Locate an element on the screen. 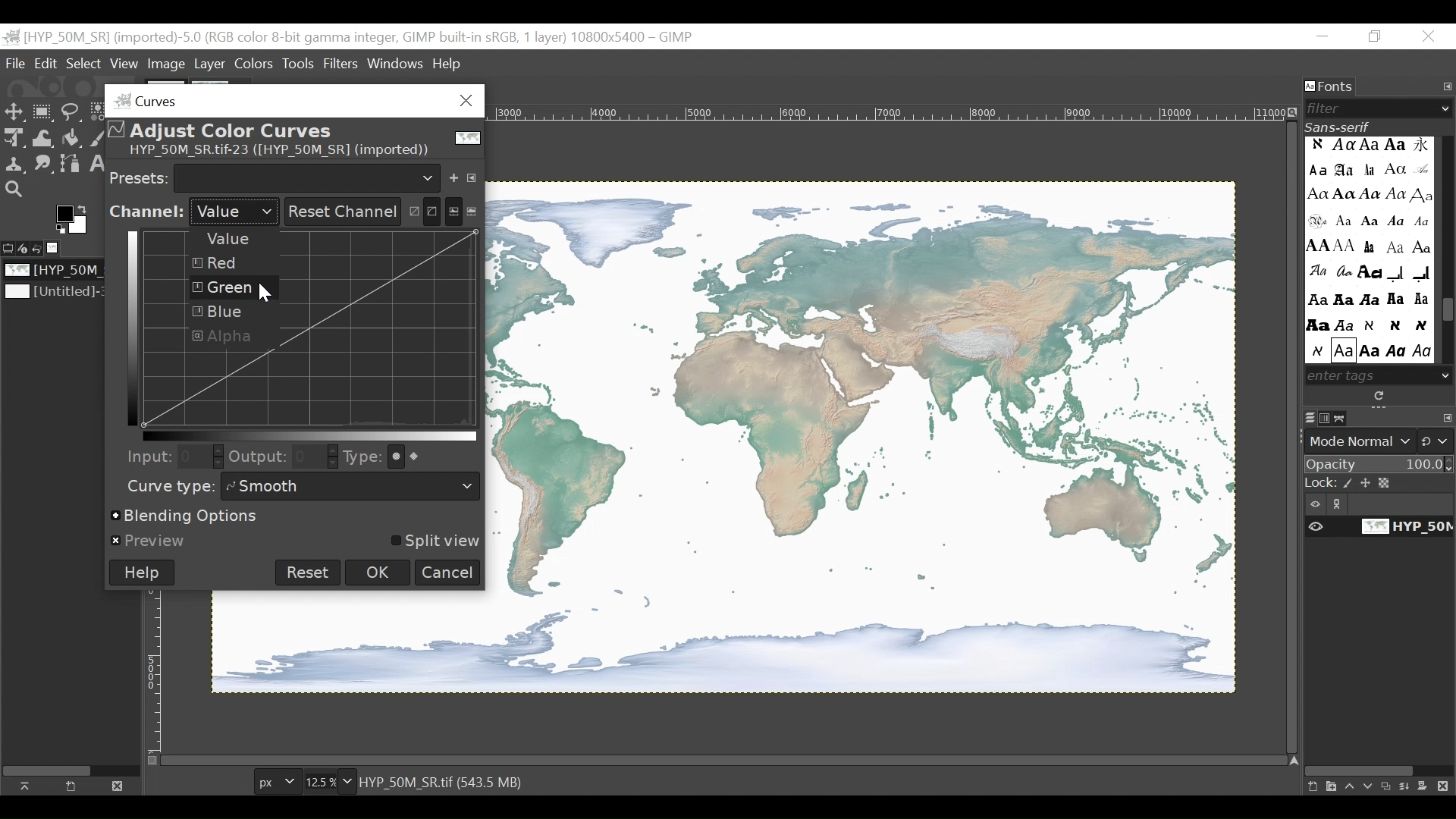 This screenshot has height=819, width=1456. Paths Tool is located at coordinates (71, 165).